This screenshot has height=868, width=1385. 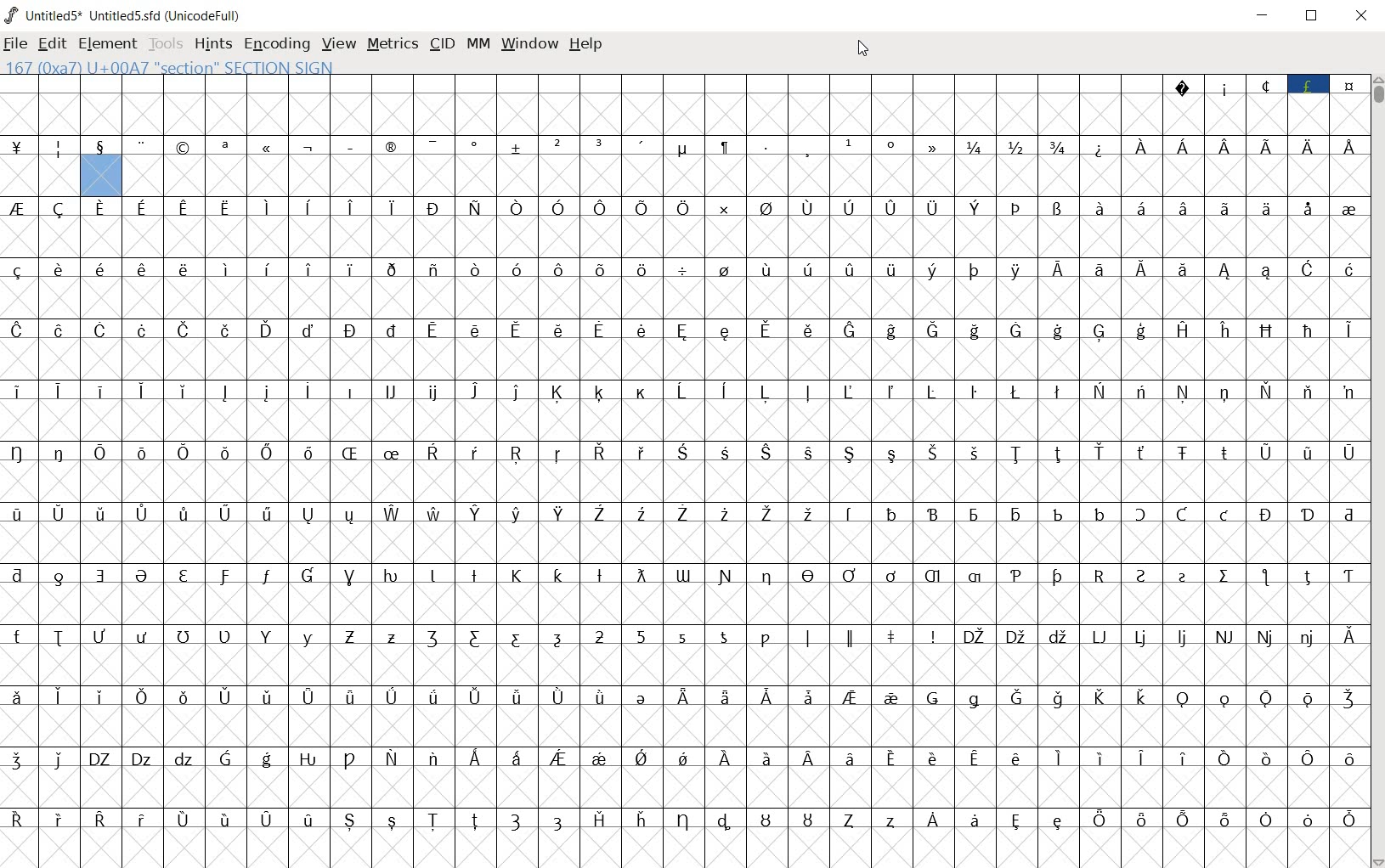 I want to click on RESTORE DOWN, so click(x=1312, y=17).